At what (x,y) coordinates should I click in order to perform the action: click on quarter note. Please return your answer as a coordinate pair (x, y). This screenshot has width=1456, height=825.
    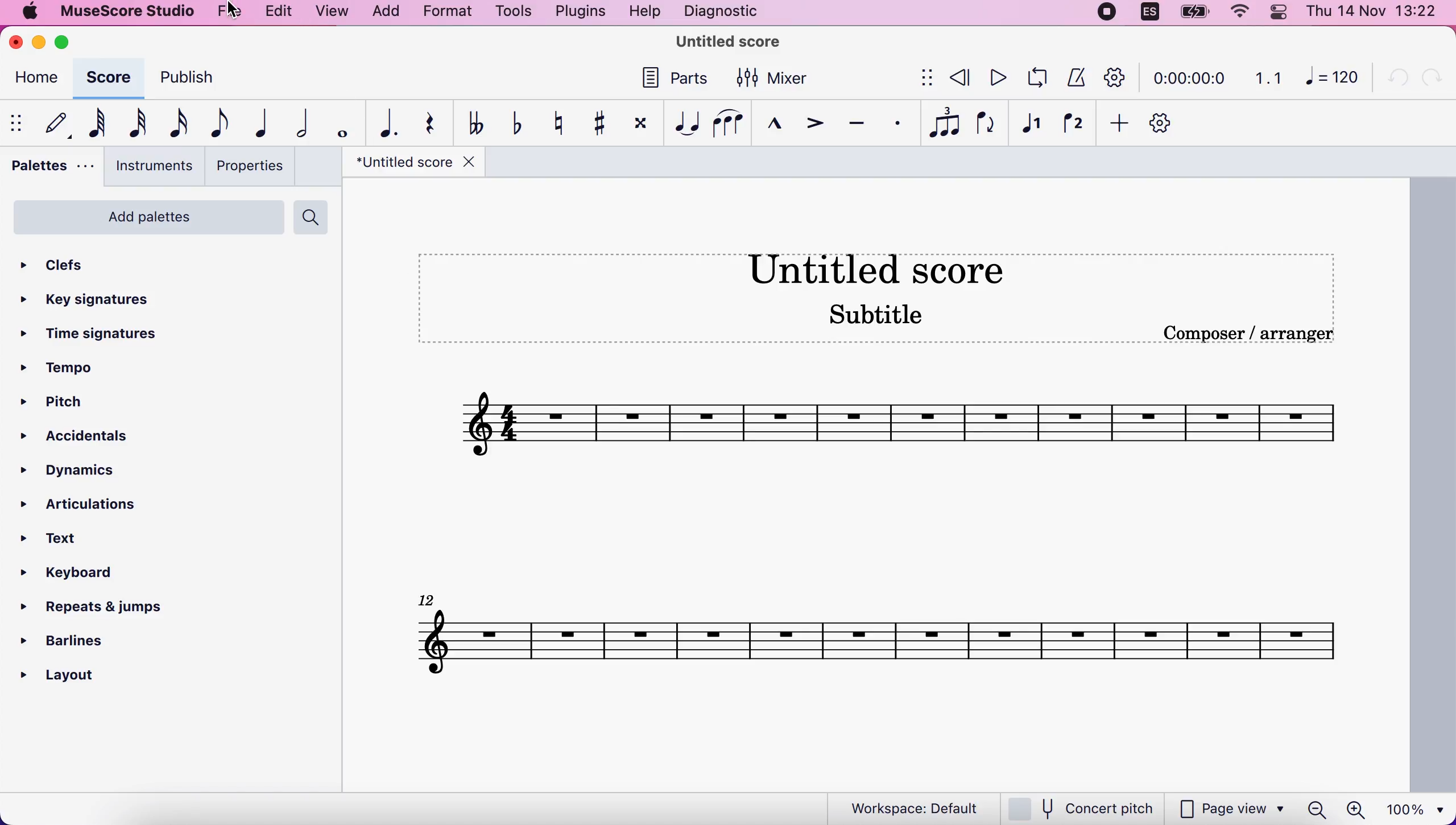
    Looking at the image, I should click on (262, 125).